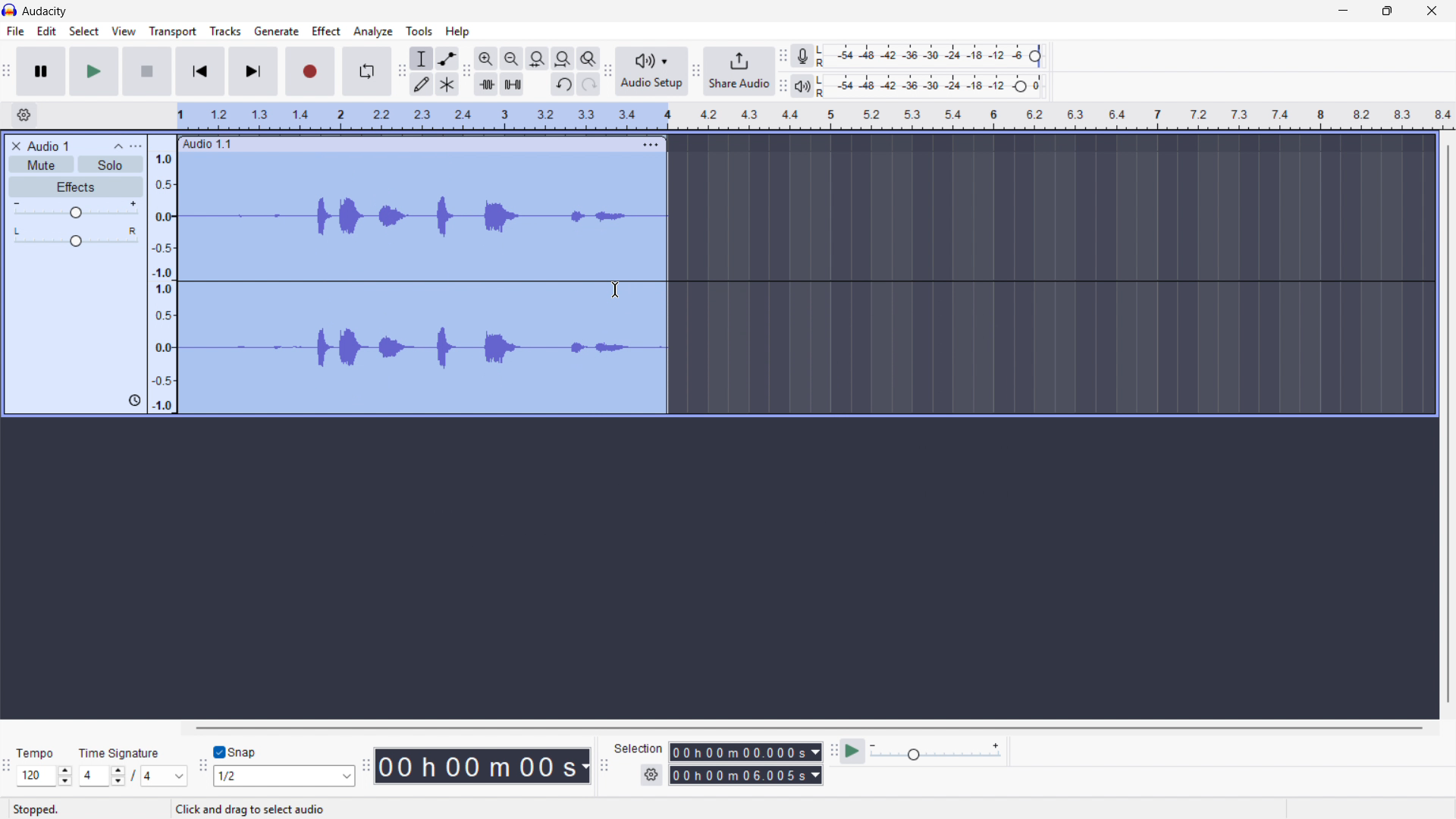  What do you see at coordinates (372, 31) in the screenshot?
I see `Analyse` at bounding box center [372, 31].